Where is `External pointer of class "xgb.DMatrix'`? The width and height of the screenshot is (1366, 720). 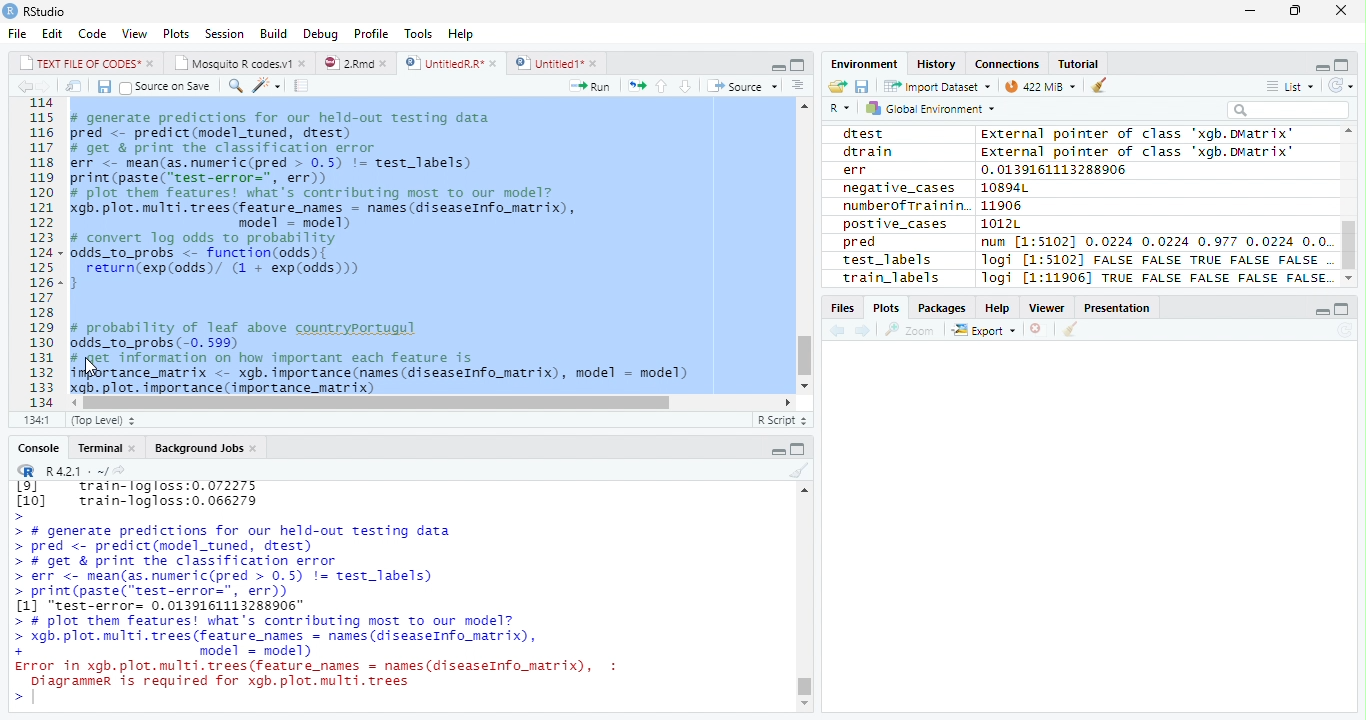 External pointer of class "xgb.DMatrix' is located at coordinates (1138, 151).